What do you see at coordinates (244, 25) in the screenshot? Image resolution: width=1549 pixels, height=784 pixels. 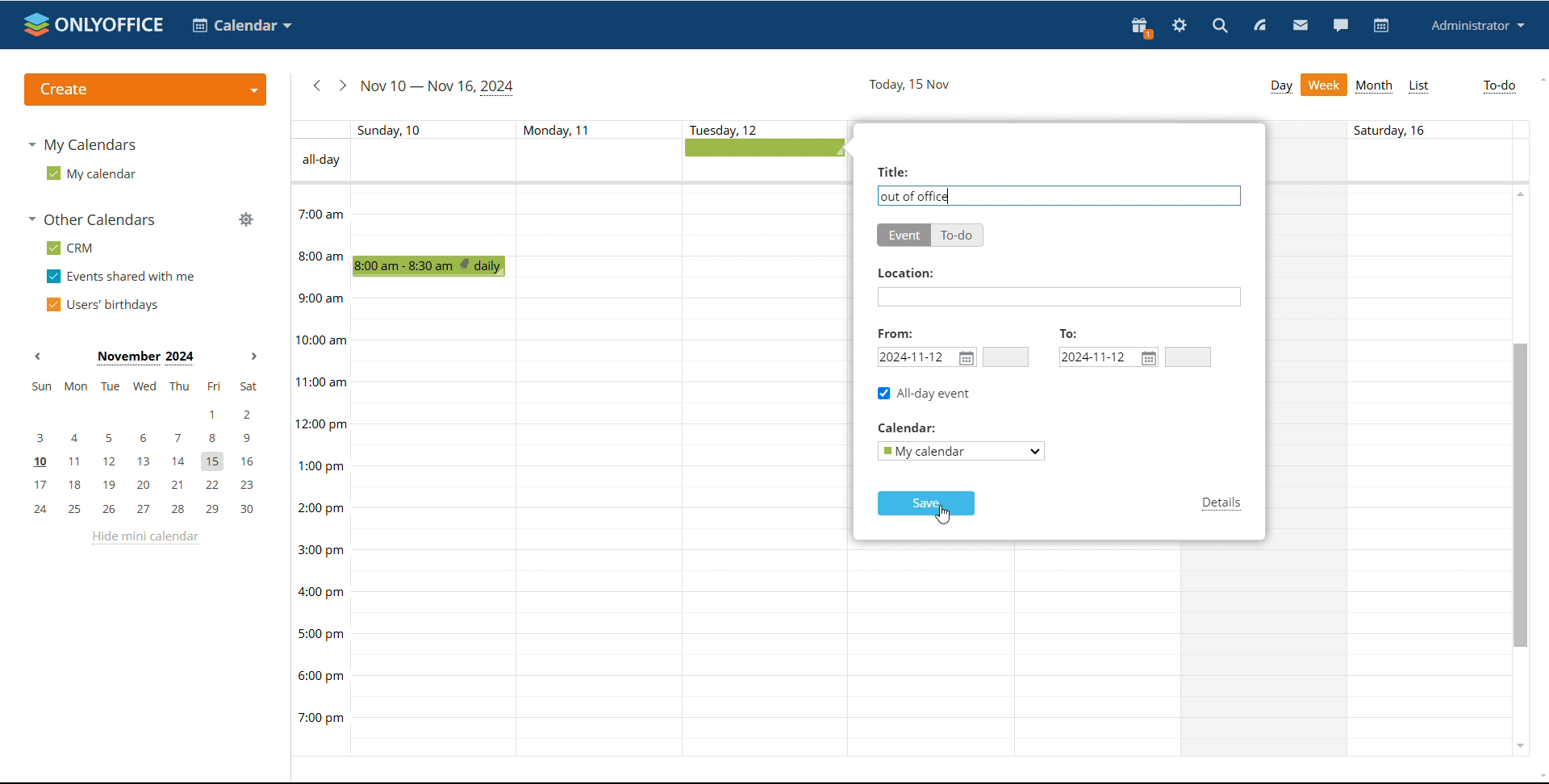 I see `select application` at bounding box center [244, 25].